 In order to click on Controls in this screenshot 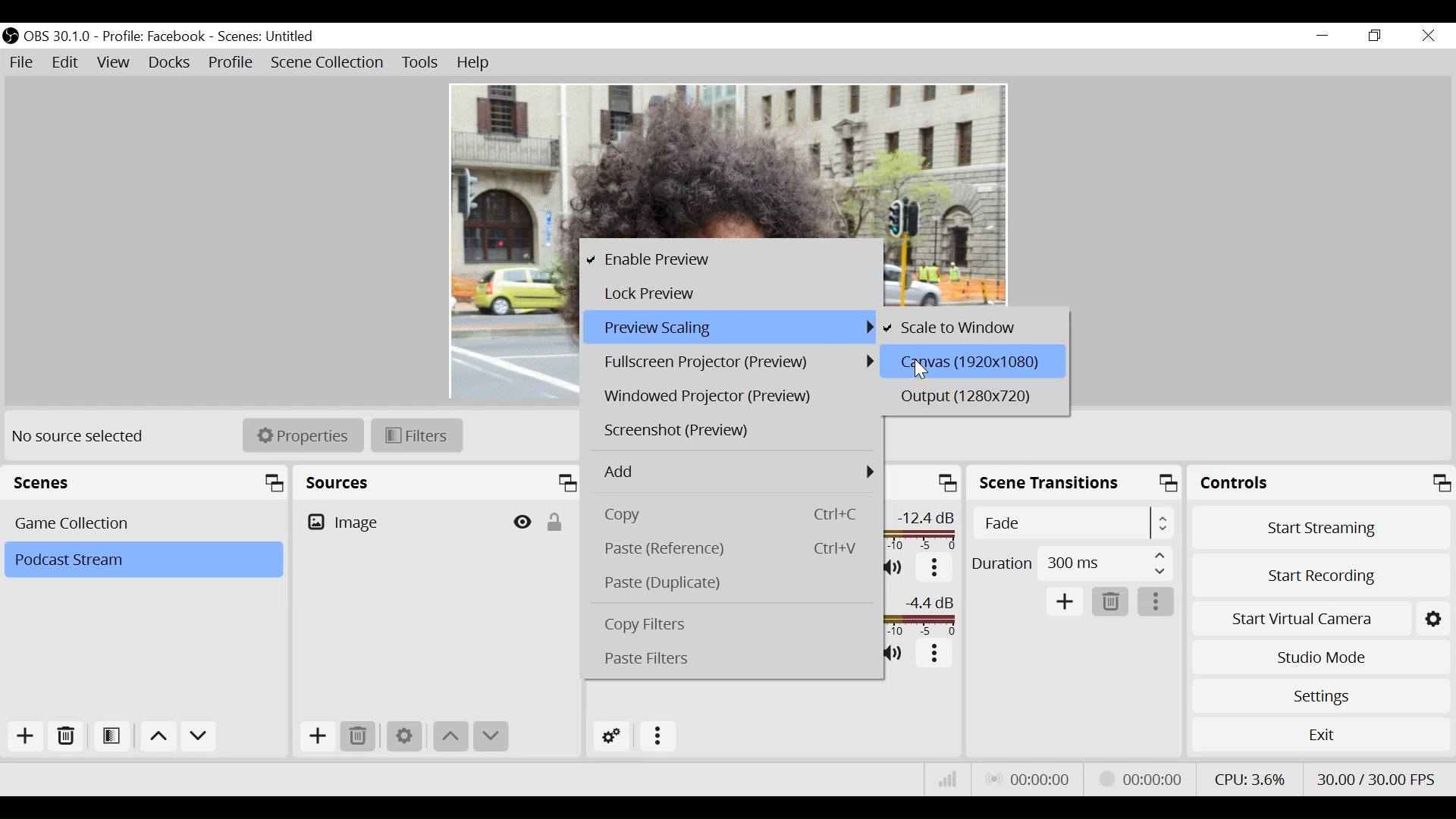, I will do `click(1323, 482)`.